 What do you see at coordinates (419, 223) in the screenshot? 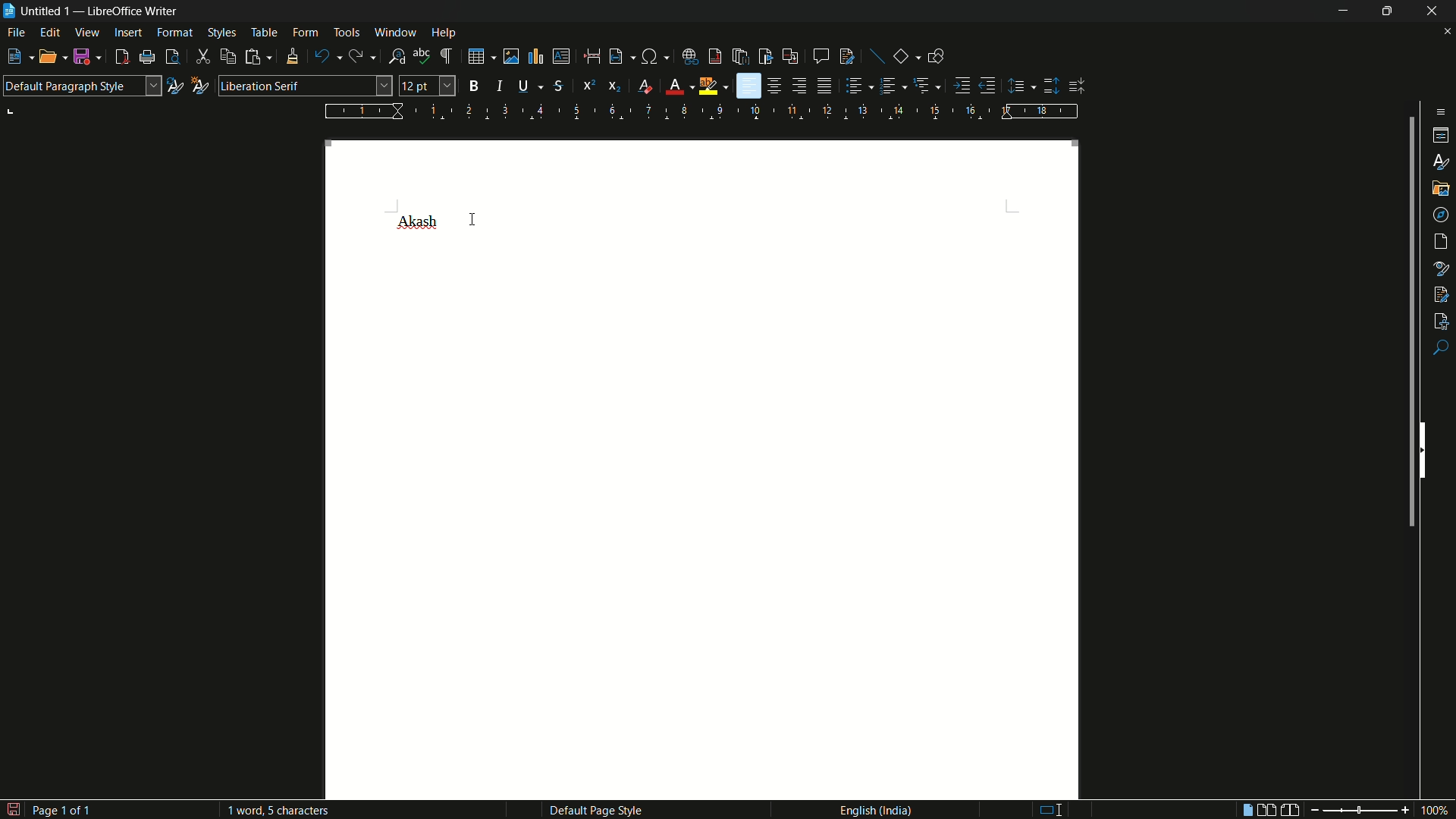
I see `font` at bounding box center [419, 223].